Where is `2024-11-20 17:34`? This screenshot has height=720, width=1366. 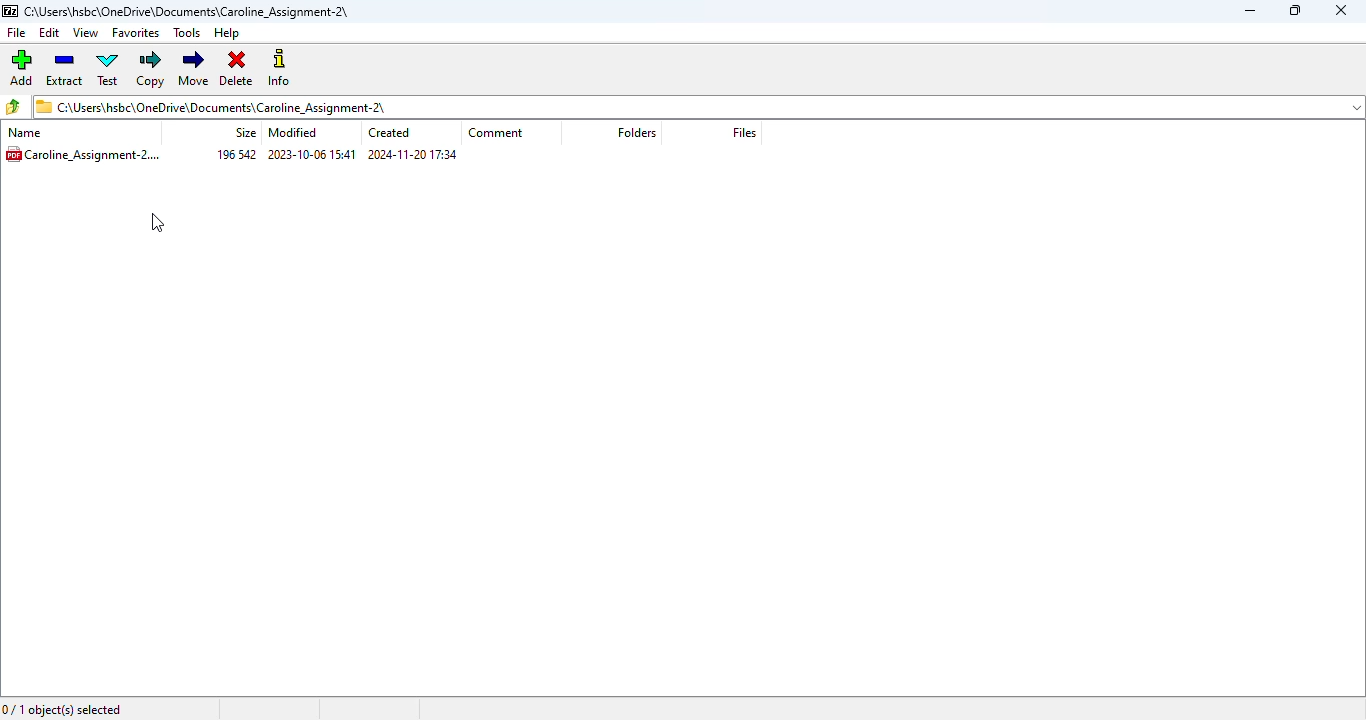
2024-11-20 17:34 is located at coordinates (413, 155).